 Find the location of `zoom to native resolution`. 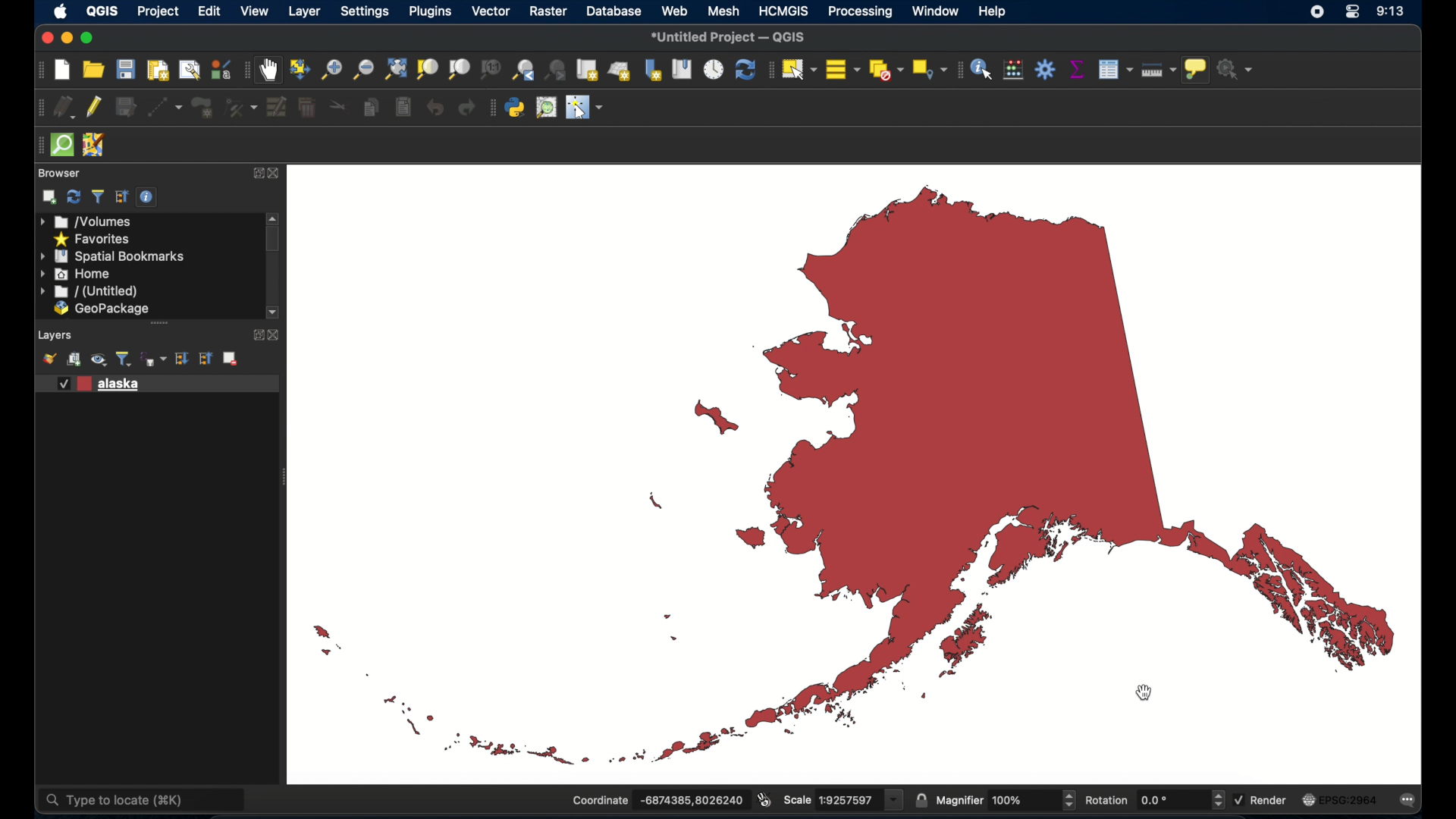

zoom to native resolution is located at coordinates (490, 69).